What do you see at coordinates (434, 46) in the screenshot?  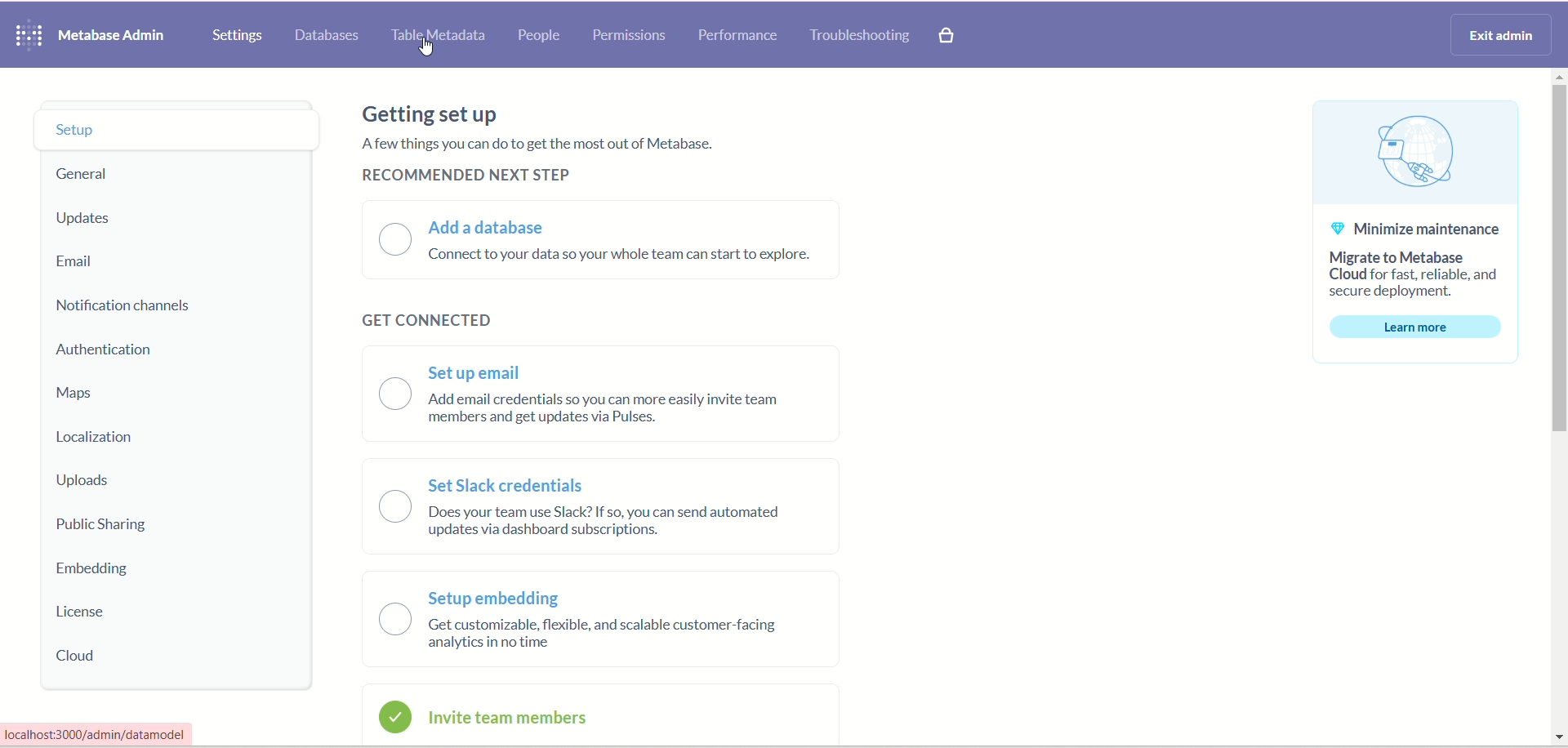 I see `cursor` at bounding box center [434, 46].